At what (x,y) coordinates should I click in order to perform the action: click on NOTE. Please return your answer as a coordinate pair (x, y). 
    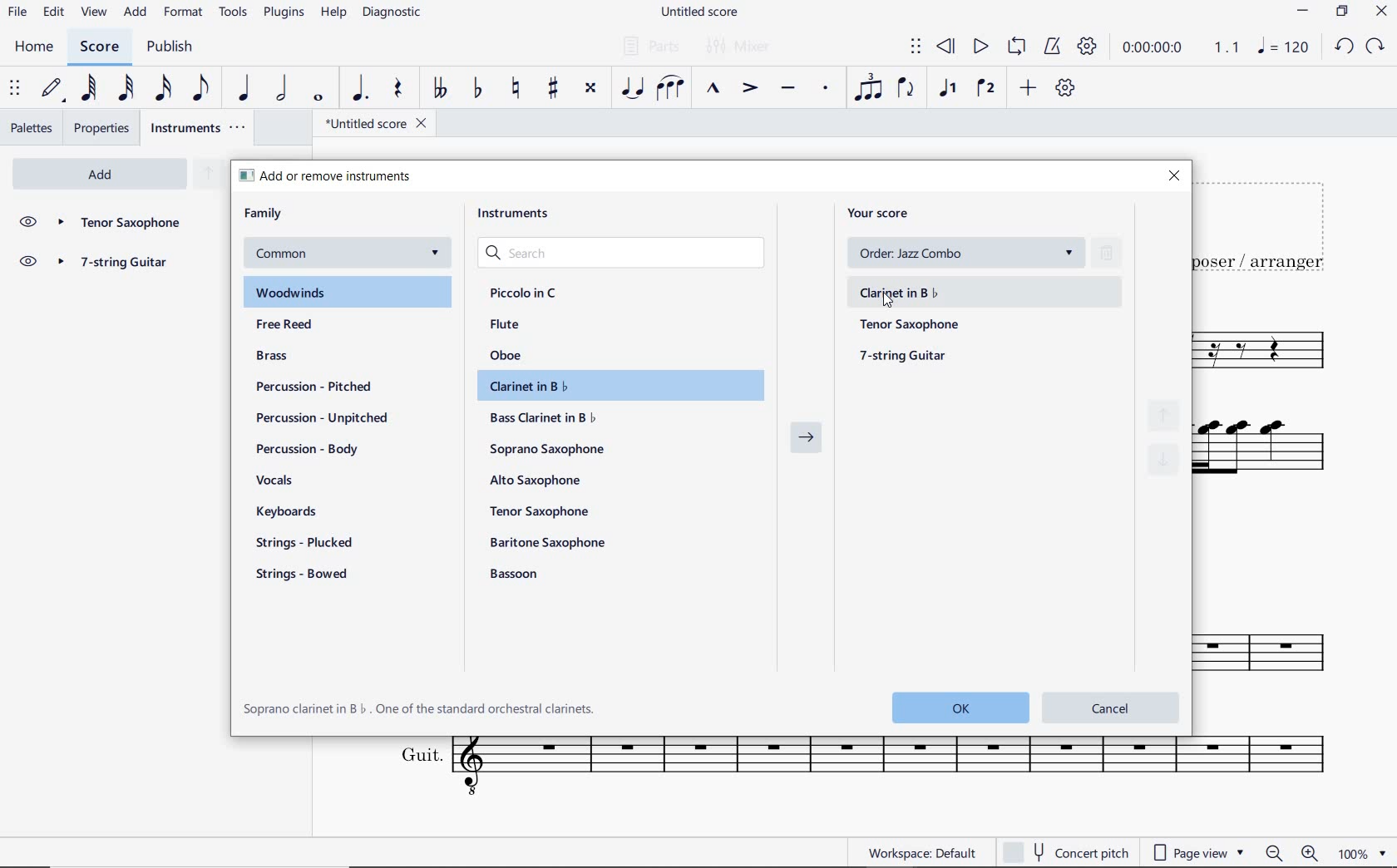
    Looking at the image, I should click on (1283, 46).